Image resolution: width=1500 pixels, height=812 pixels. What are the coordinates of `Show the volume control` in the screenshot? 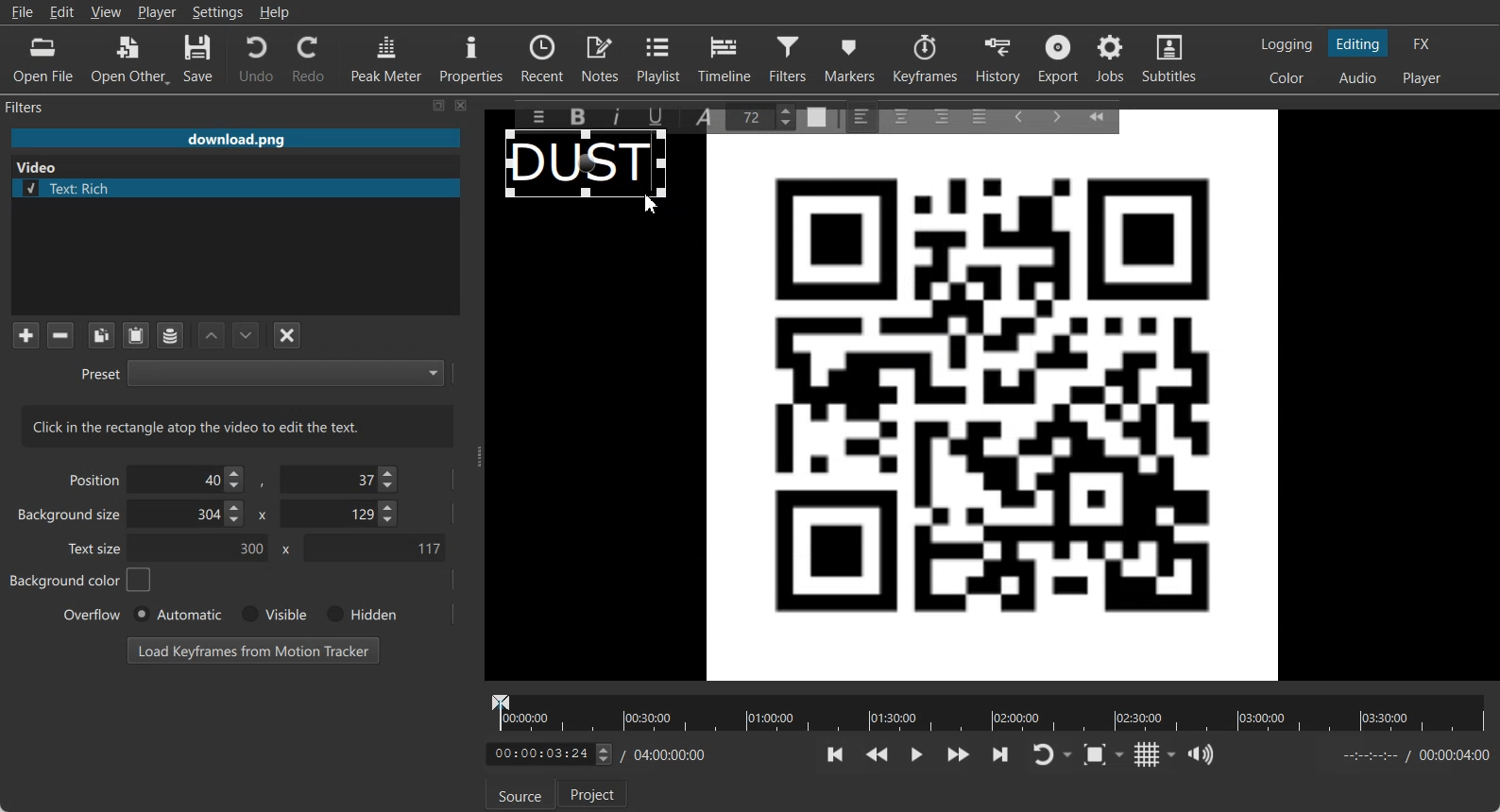 It's located at (1201, 755).